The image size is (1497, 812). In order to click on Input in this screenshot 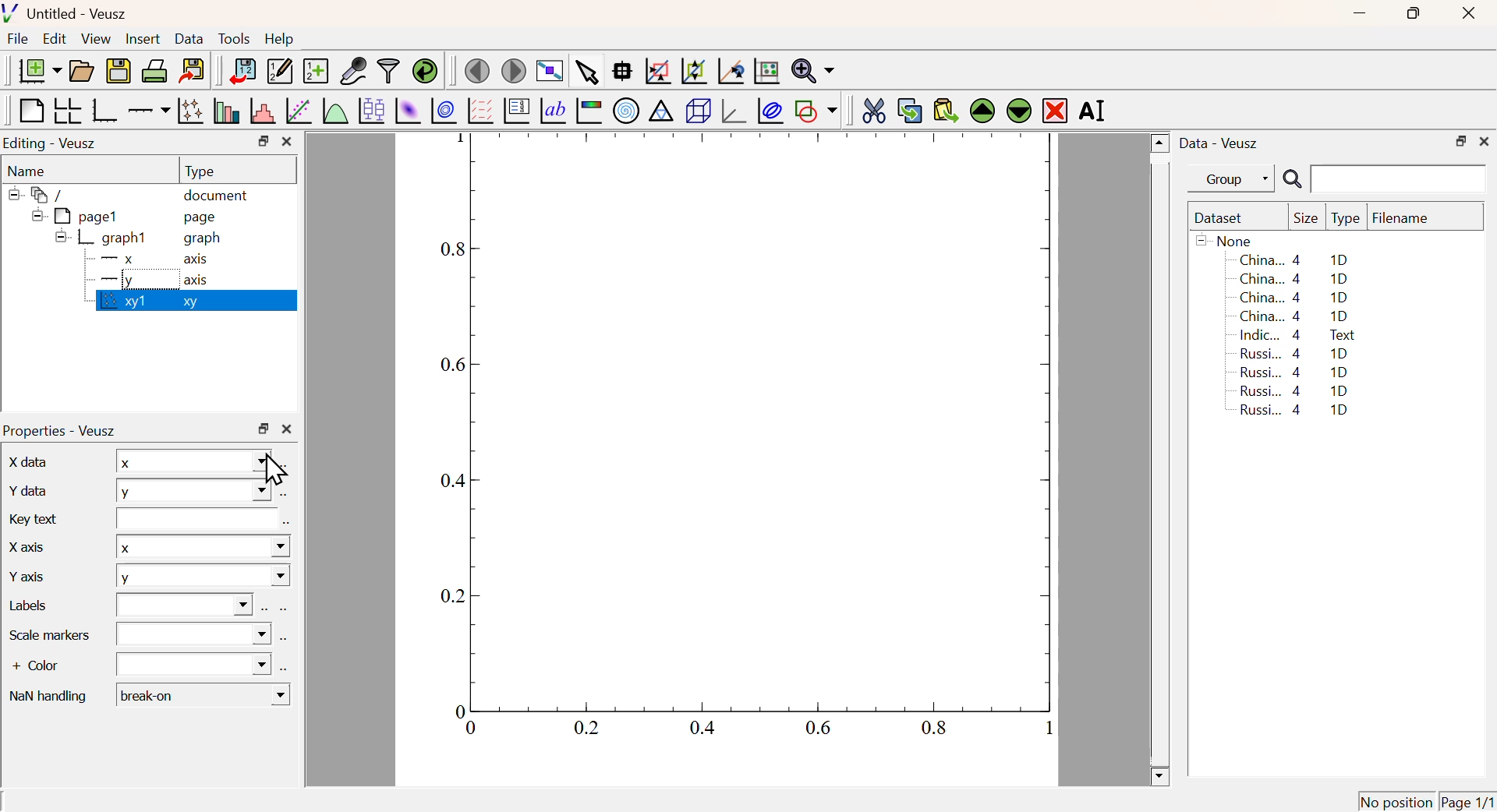, I will do `click(192, 518)`.